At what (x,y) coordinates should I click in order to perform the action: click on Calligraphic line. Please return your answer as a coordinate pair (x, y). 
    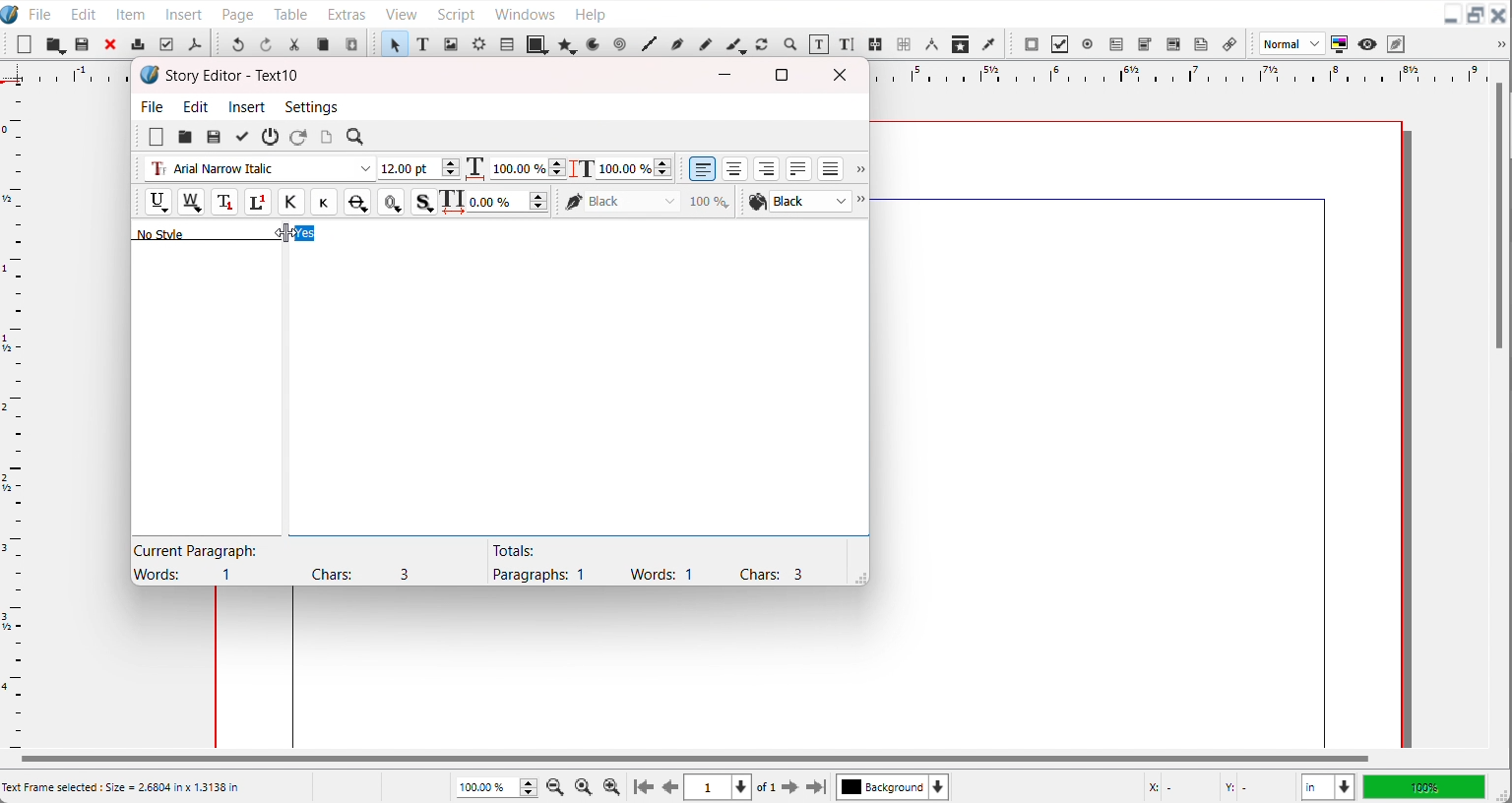
    Looking at the image, I should click on (735, 45).